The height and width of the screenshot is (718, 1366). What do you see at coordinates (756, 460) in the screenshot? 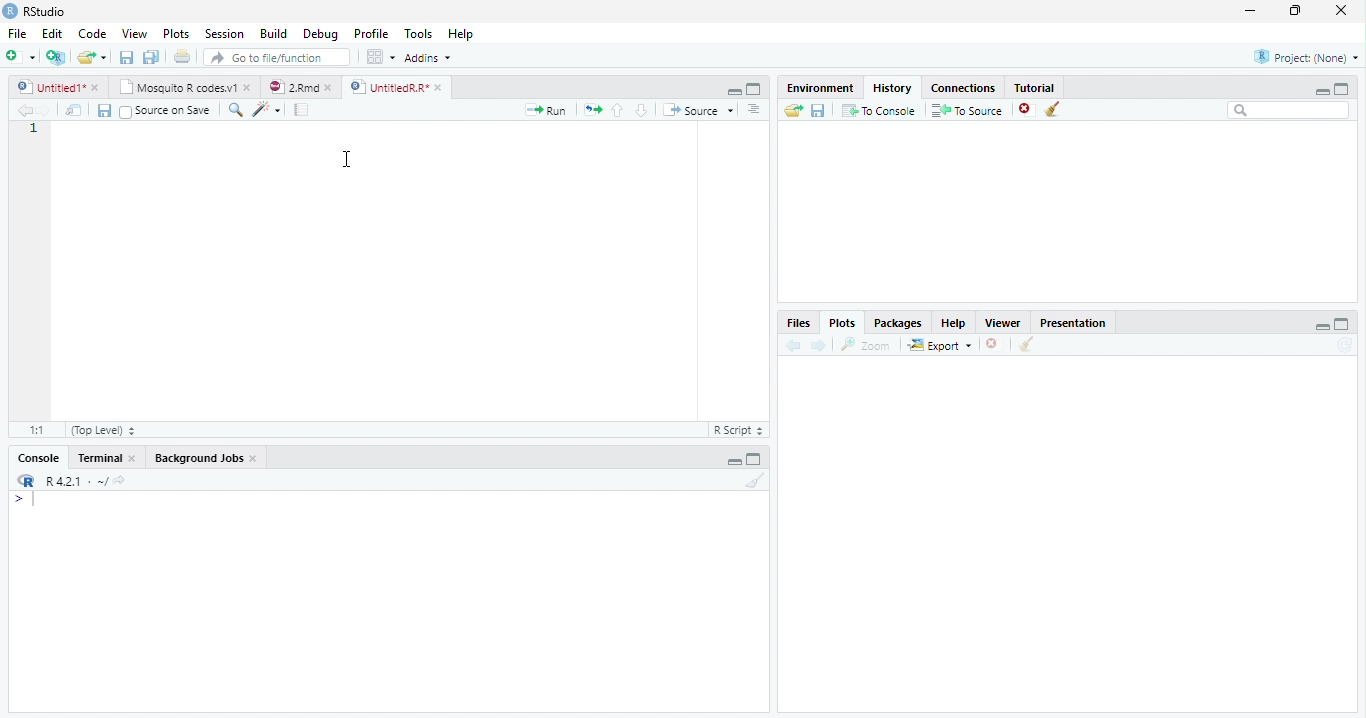
I see `Maximize` at bounding box center [756, 460].